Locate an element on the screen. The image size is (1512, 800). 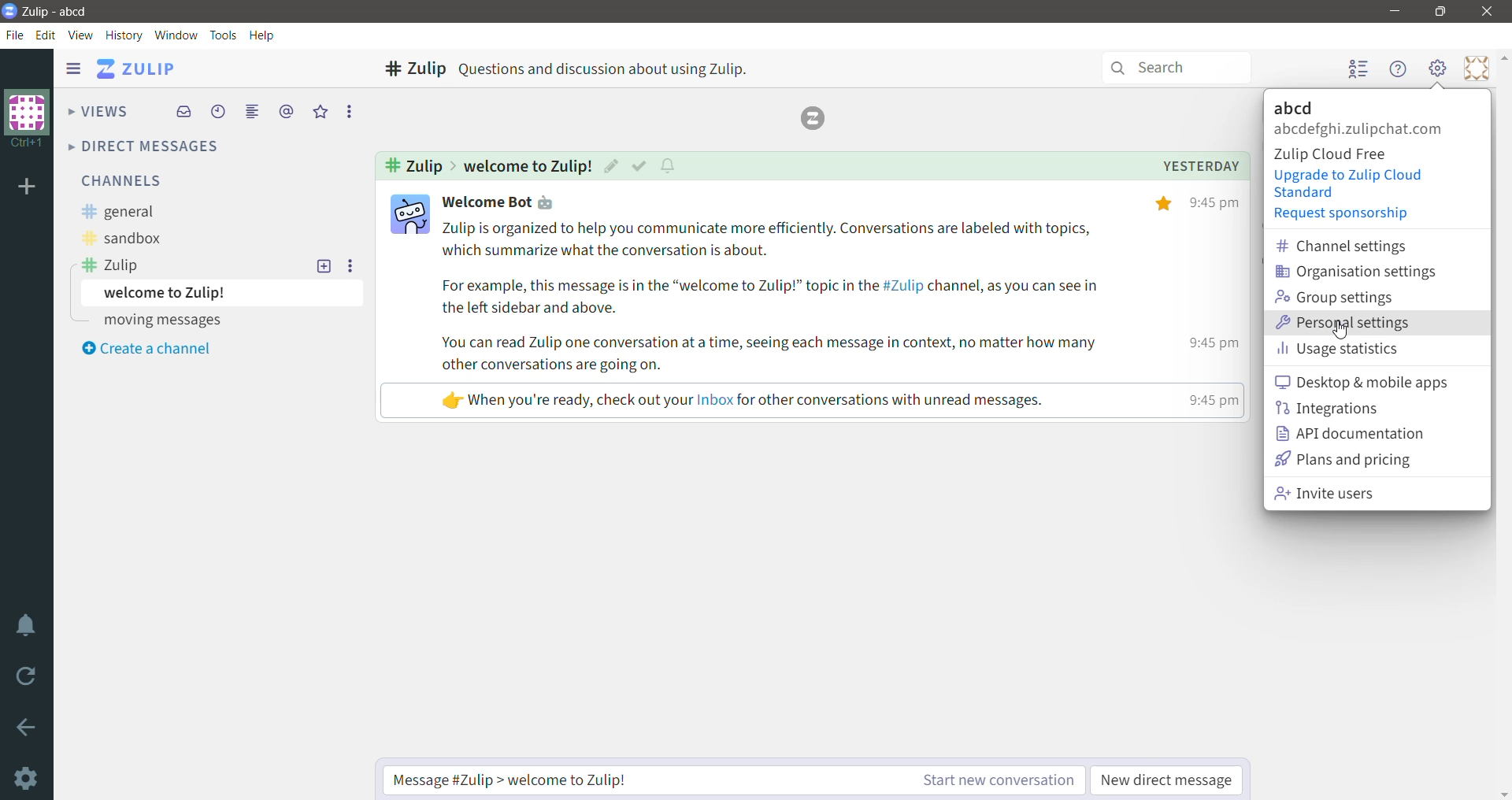
moving messages is located at coordinates (161, 320).